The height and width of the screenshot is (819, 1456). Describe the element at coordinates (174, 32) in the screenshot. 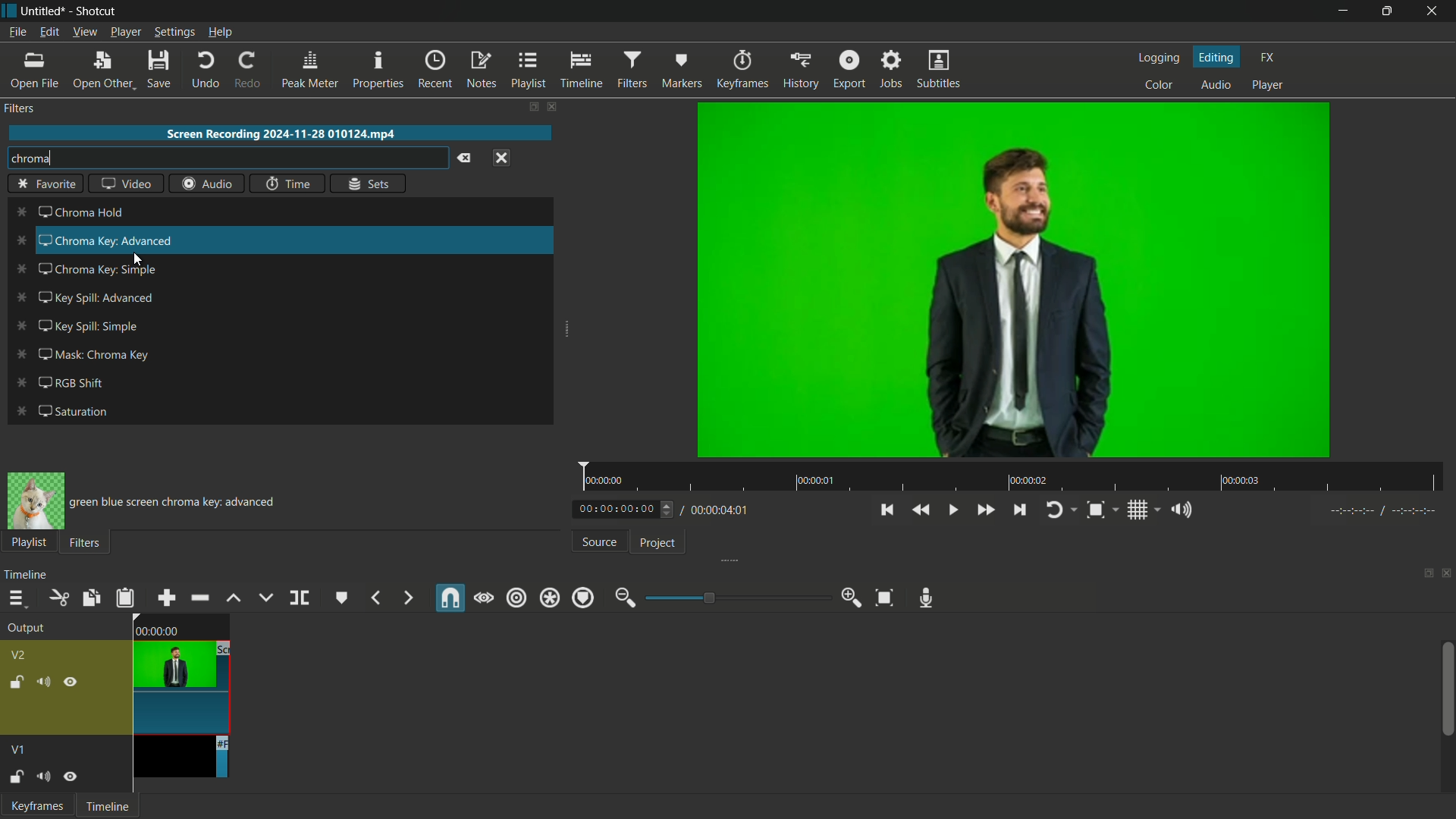

I see `settings menu` at that location.